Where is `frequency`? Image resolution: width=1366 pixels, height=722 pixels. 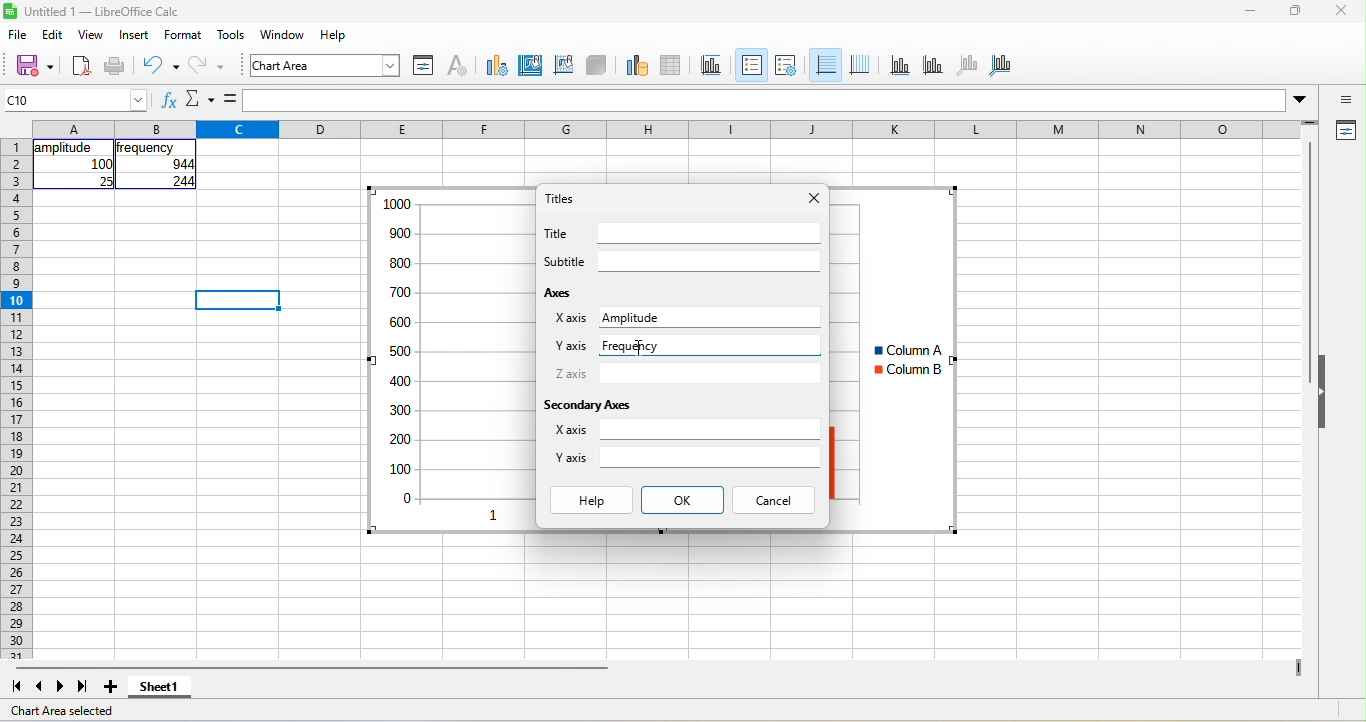 frequency is located at coordinates (145, 148).